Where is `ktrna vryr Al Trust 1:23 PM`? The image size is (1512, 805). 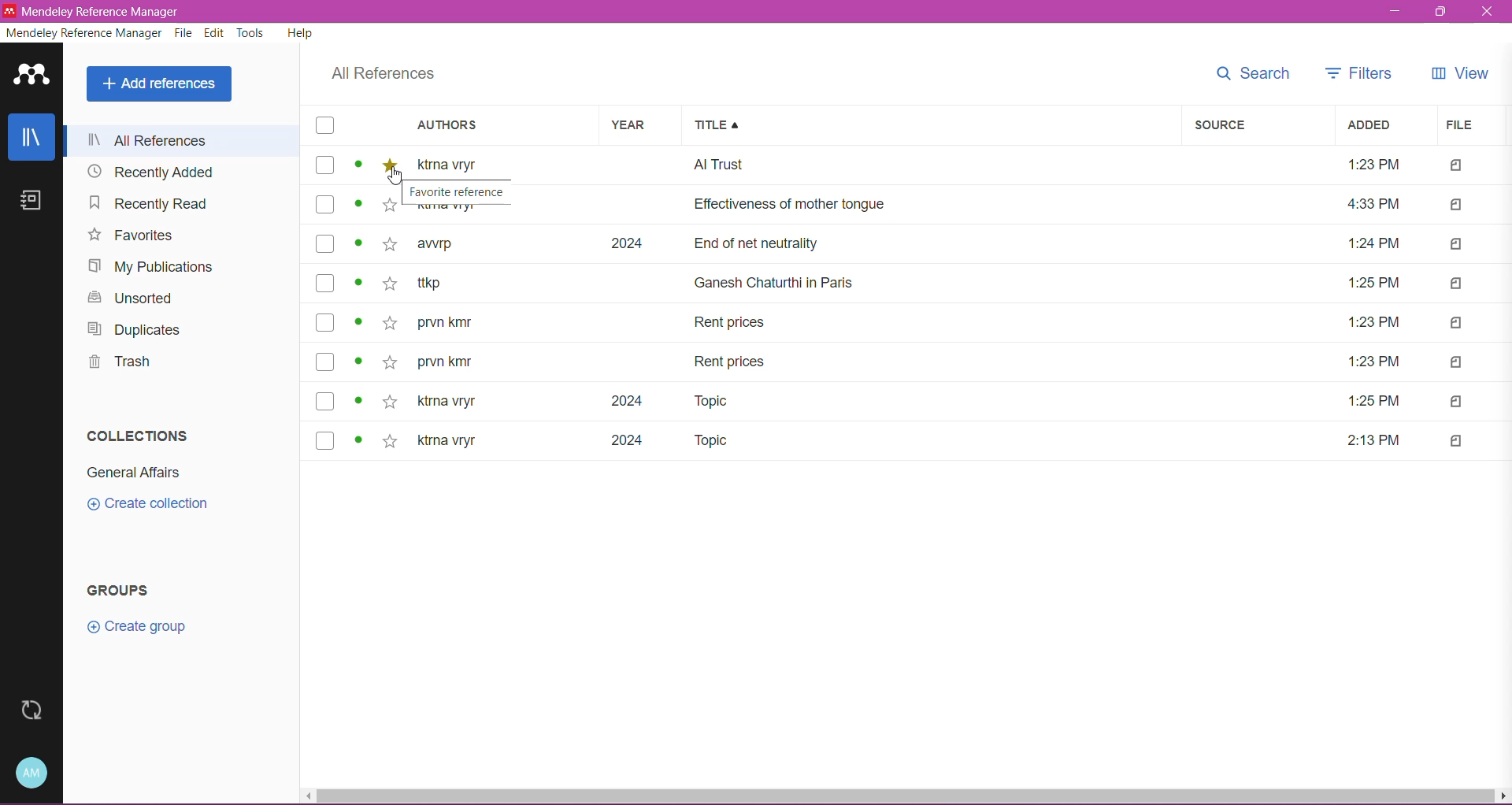 ktrna vryr Al Trust 1:23 PM is located at coordinates (910, 165).